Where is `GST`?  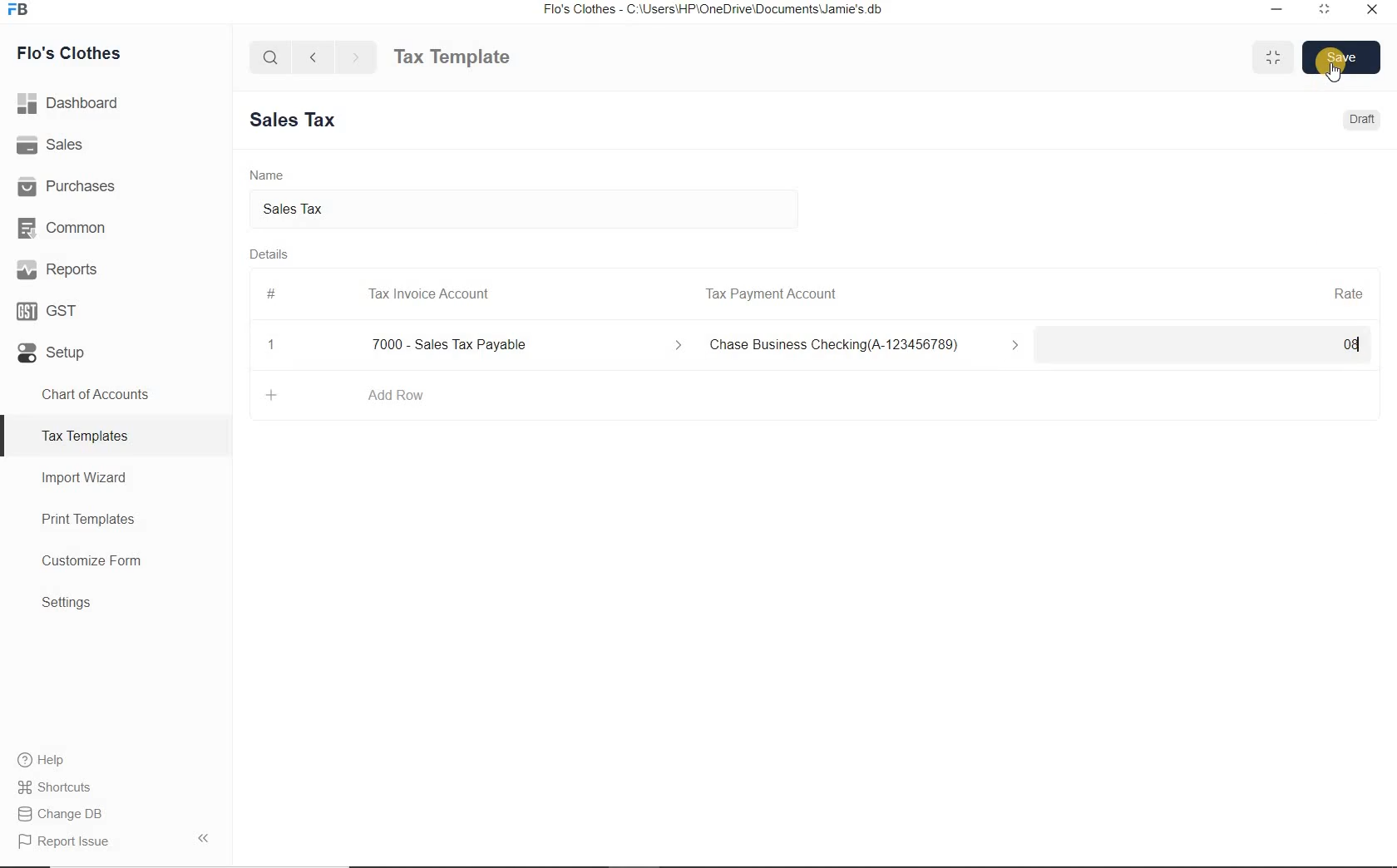
GST is located at coordinates (116, 308).